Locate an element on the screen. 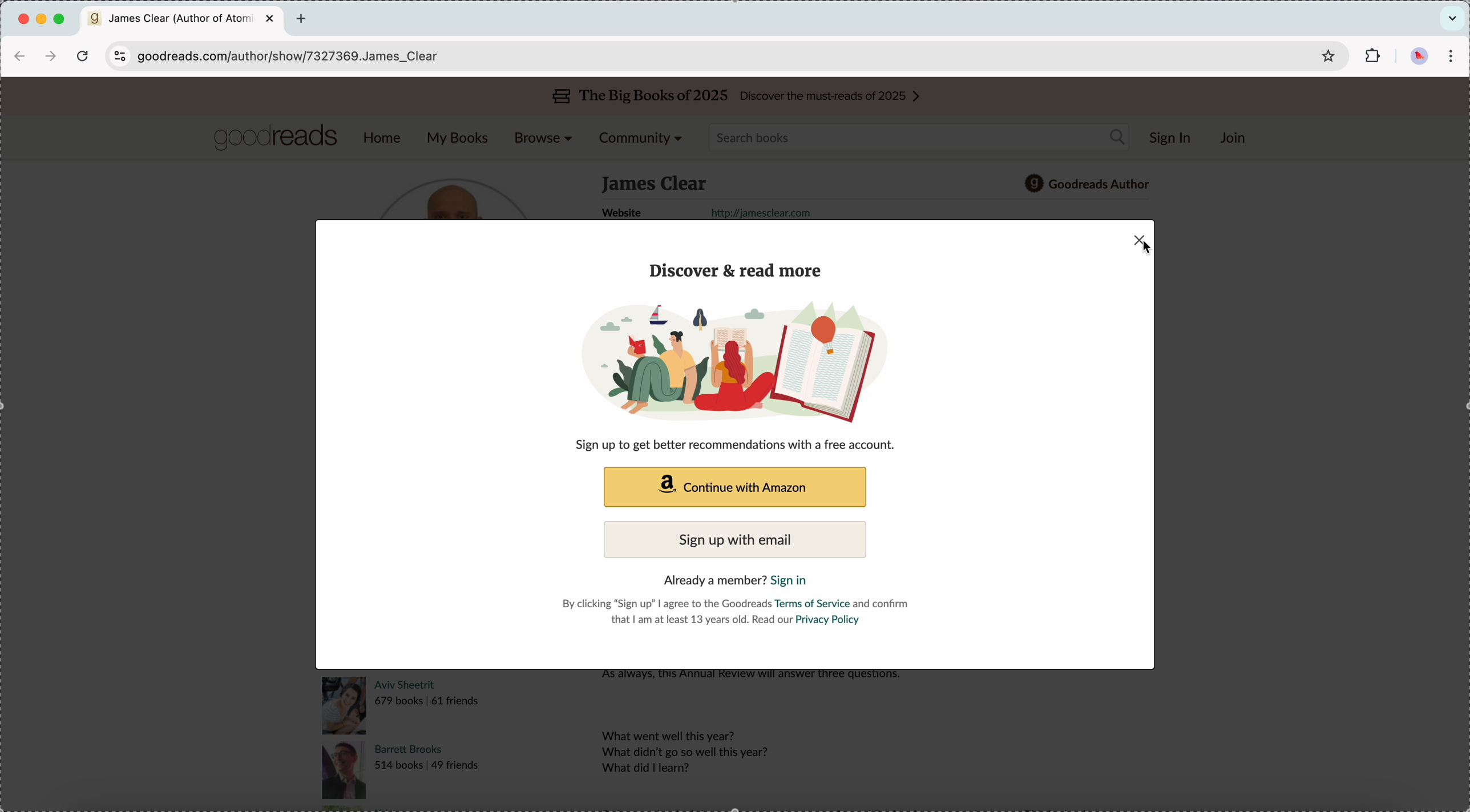 The width and height of the screenshot is (1470, 812). image is located at coordinates (756, 359).